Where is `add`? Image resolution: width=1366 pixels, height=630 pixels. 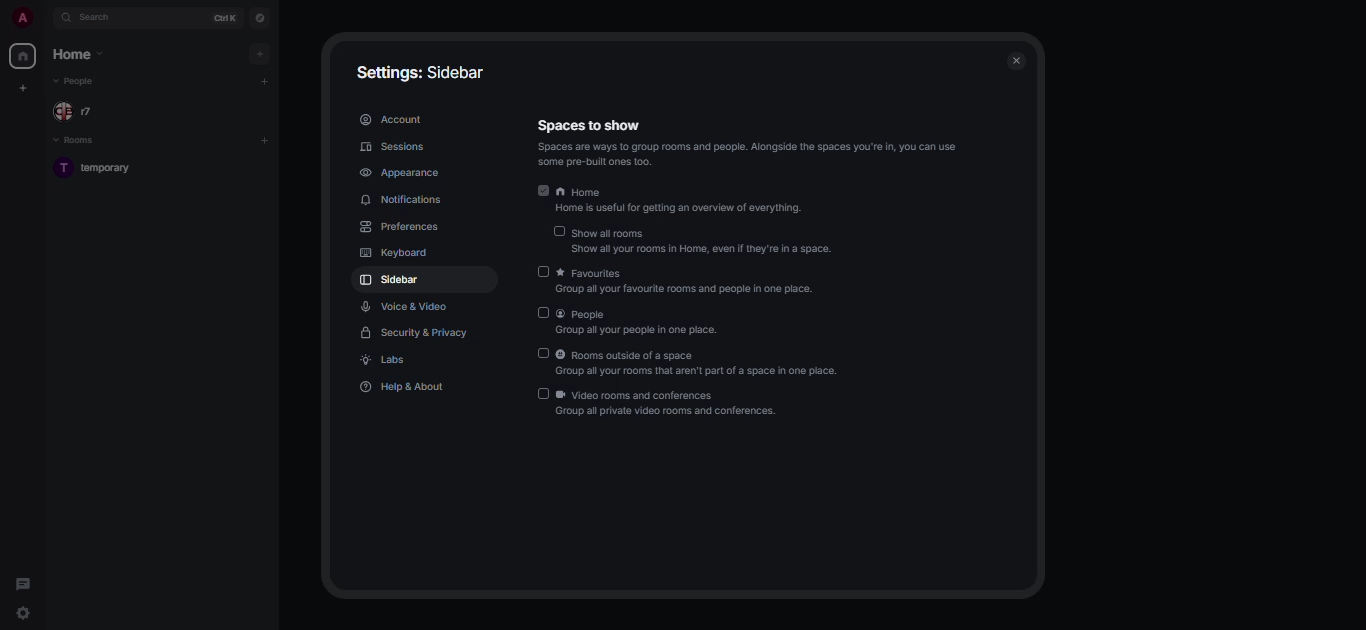
add is located at coordinates (260, 54).